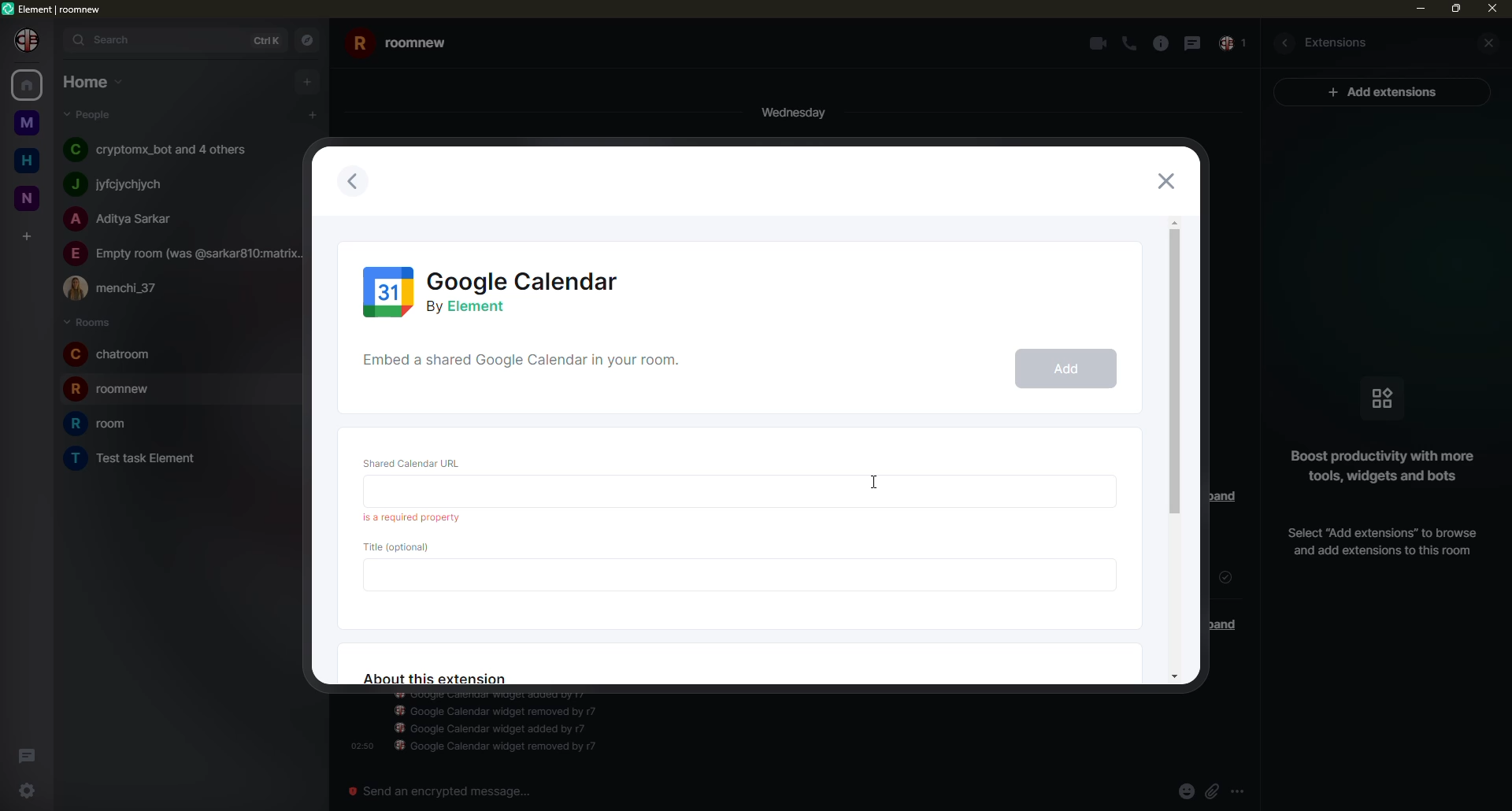  Describe the element at coordinates (137, 457) in the screenshot. I see `room` at that location.